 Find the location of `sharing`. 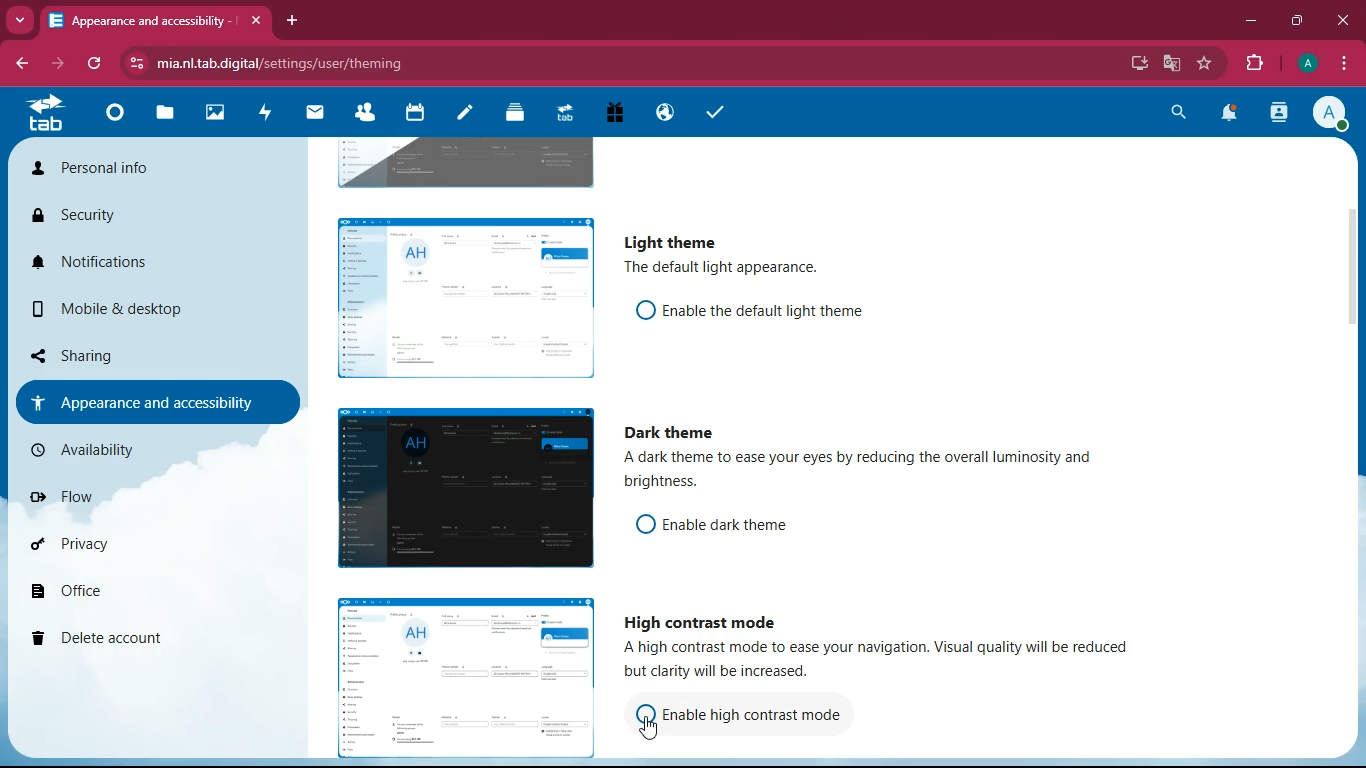

sharing is located at coordinates (122, 355).